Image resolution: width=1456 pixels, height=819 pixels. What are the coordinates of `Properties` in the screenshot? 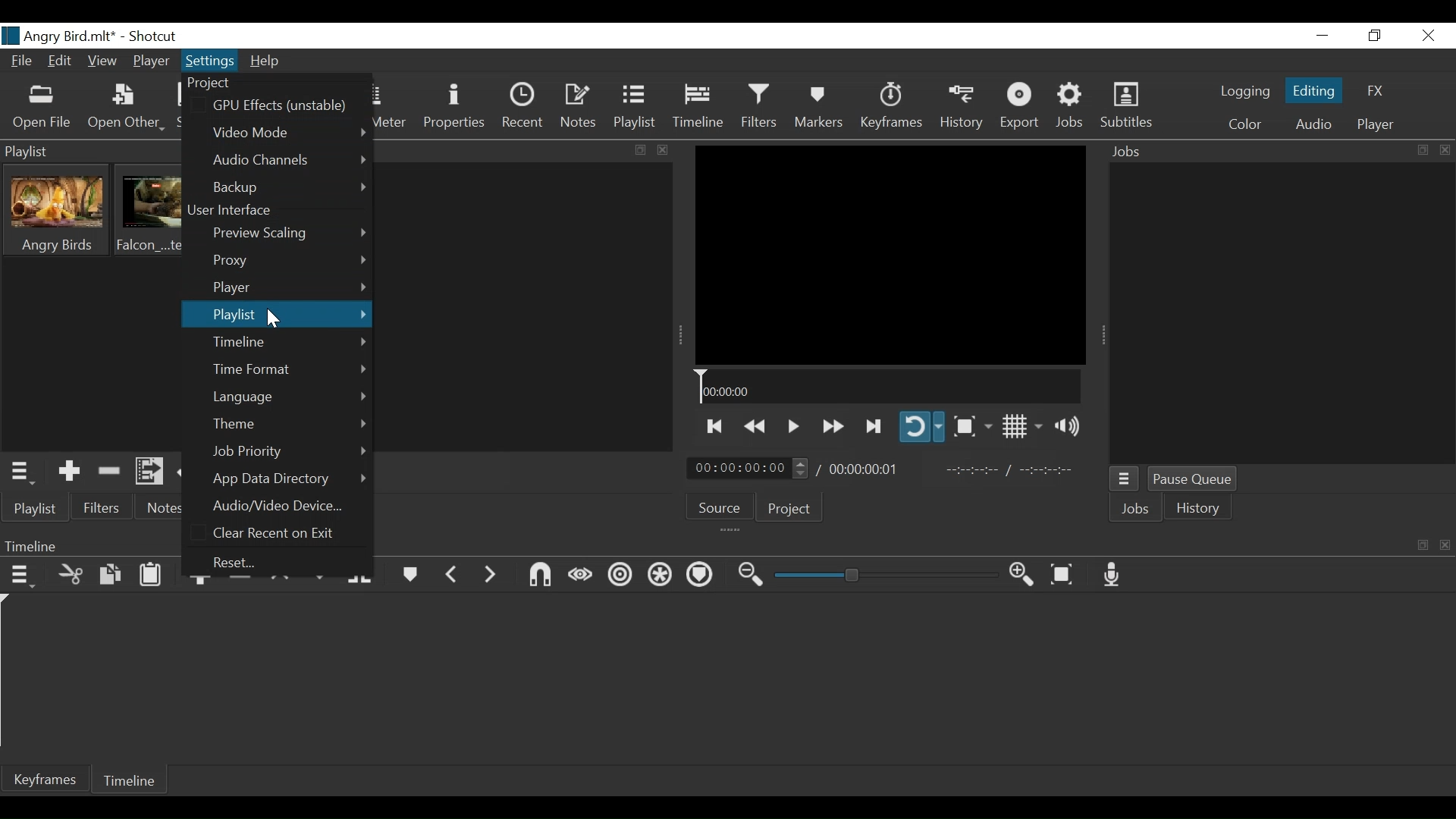 It's located at (454, 109).